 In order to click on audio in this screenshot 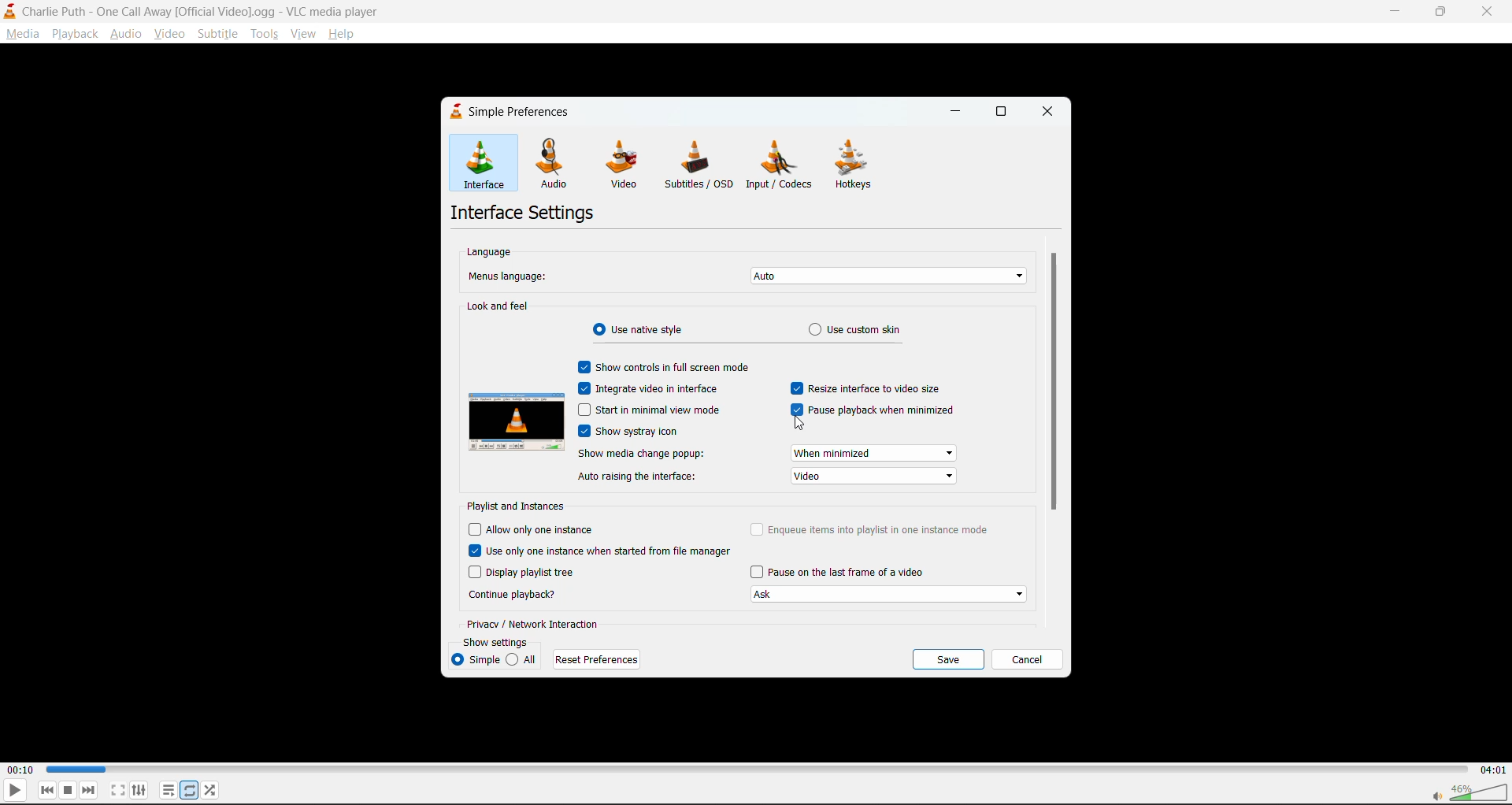, I will do `click(126, 34)`.